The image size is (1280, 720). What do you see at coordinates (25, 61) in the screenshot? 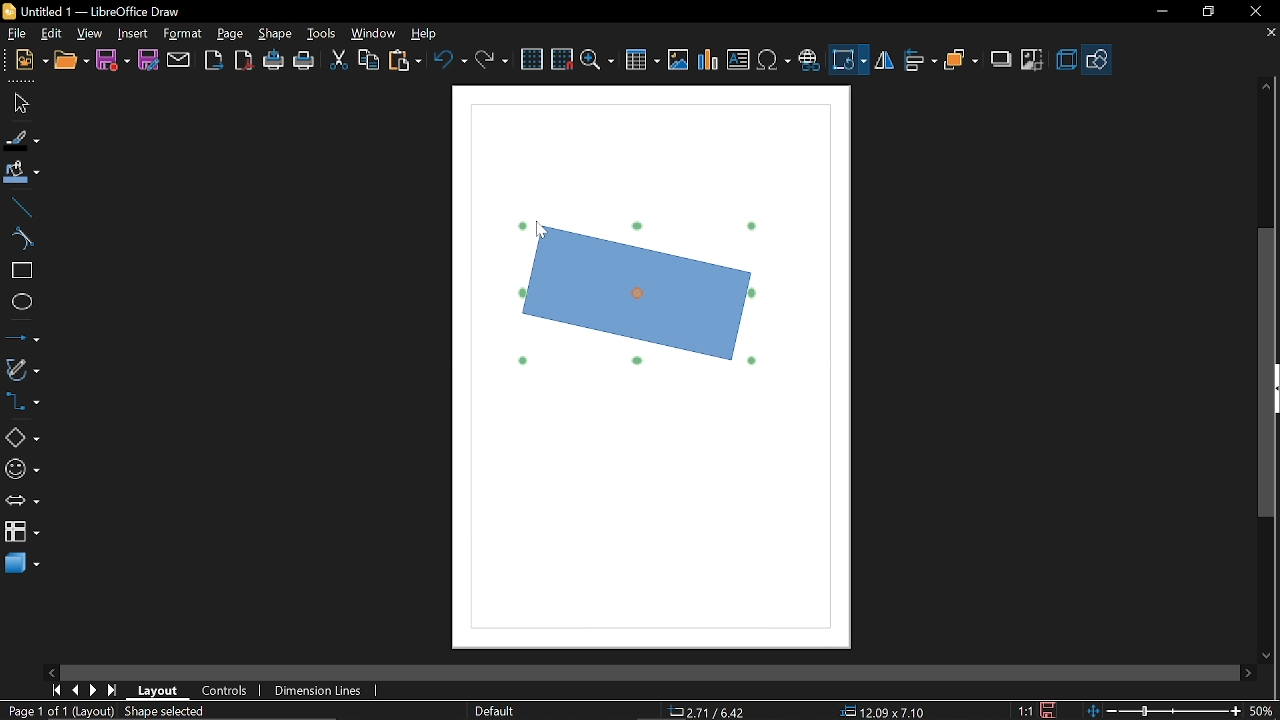
I see `New` at bounding box center [25, 61].